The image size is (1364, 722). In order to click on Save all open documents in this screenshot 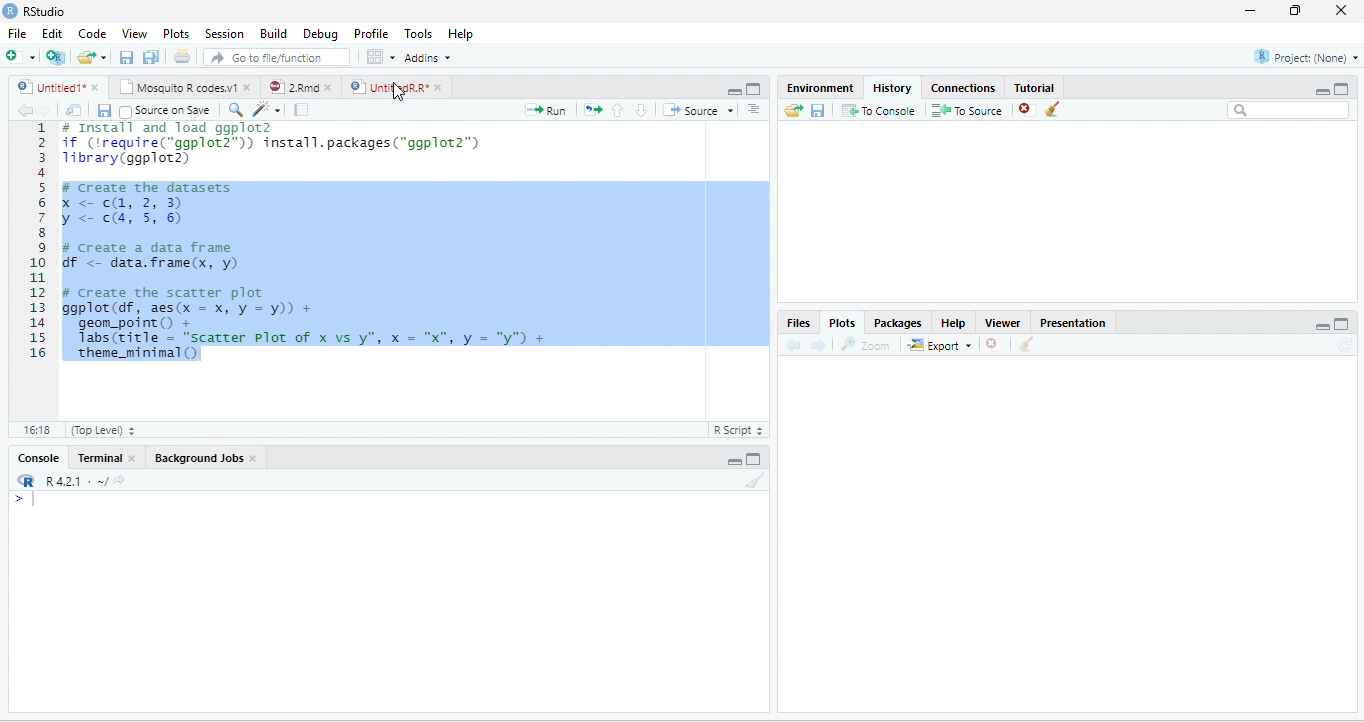, I will do `click(151, 56)`.